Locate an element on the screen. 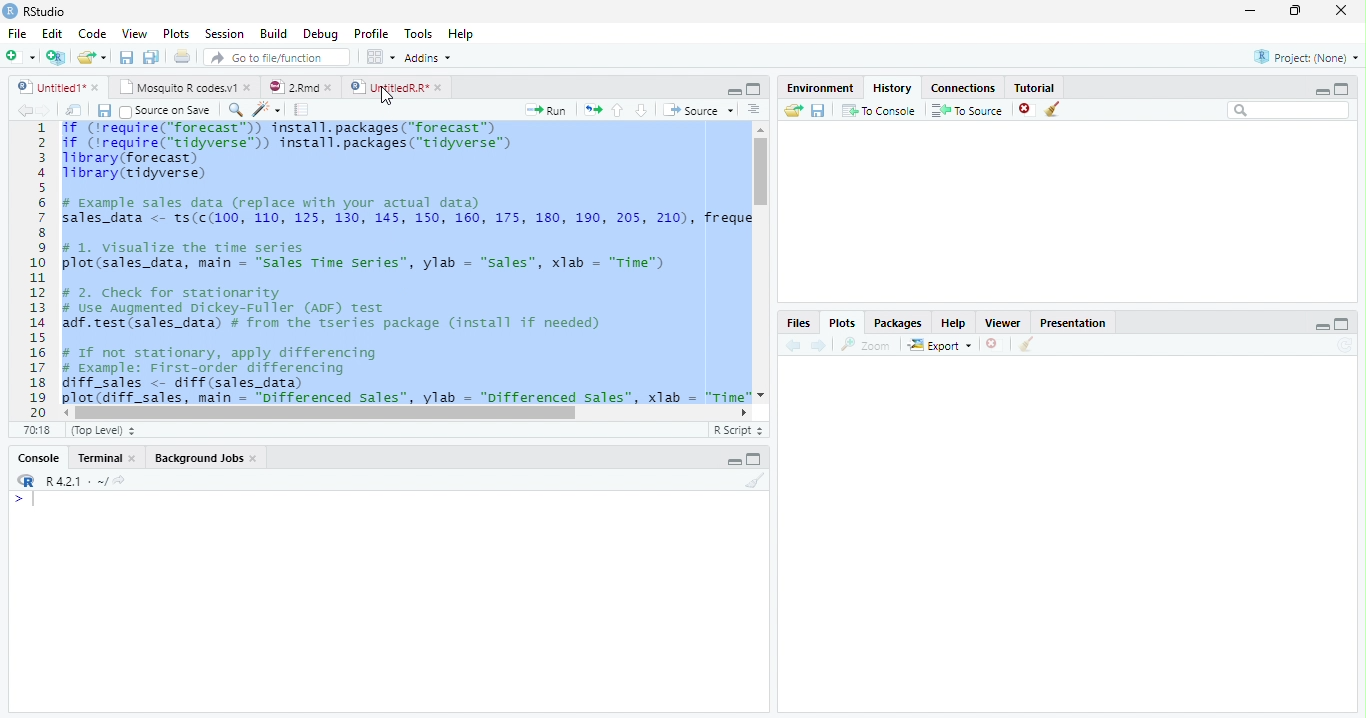  Previous is located at coordinates (22, 111).